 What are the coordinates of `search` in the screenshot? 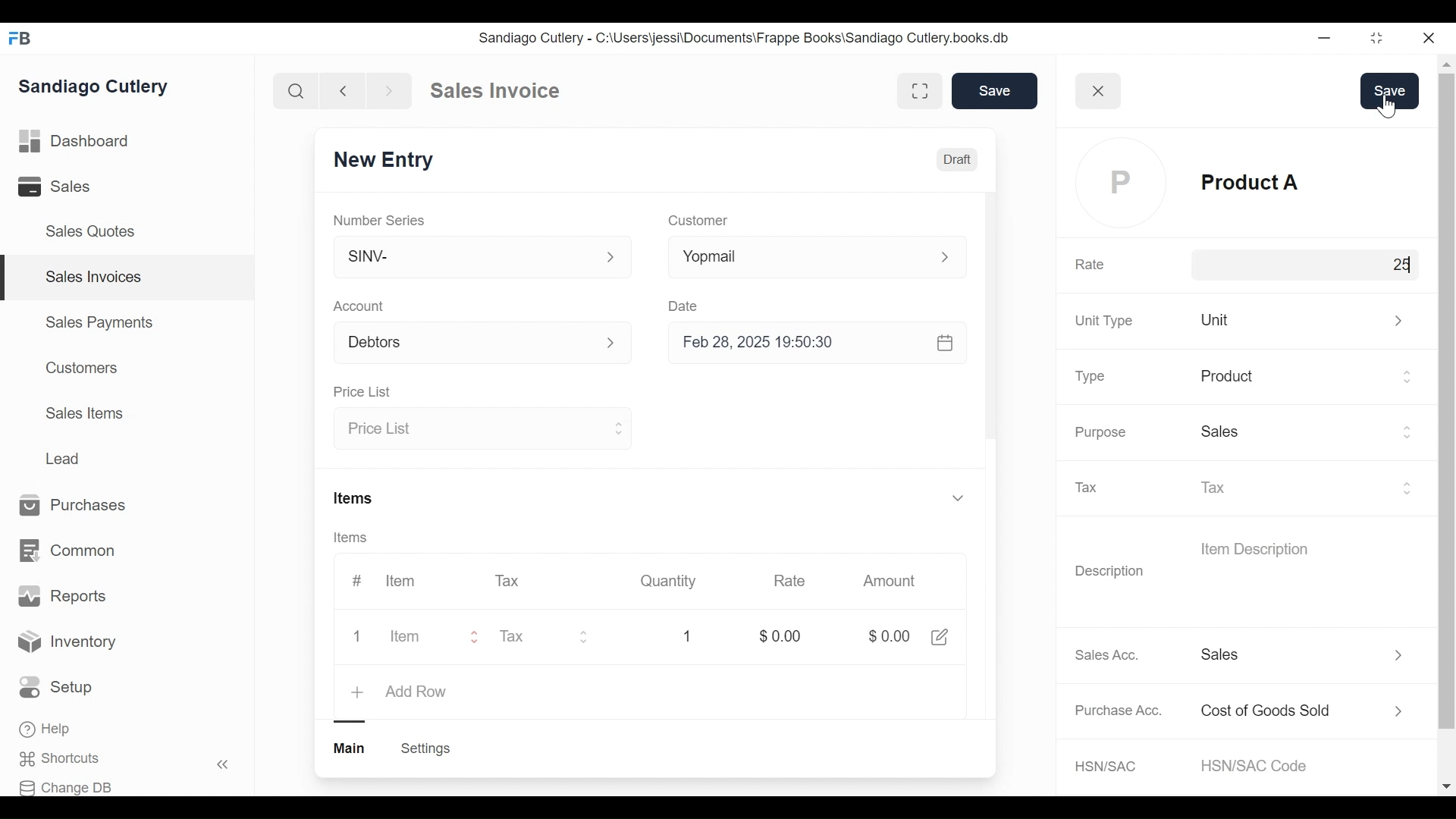 It's located at (297, 92).